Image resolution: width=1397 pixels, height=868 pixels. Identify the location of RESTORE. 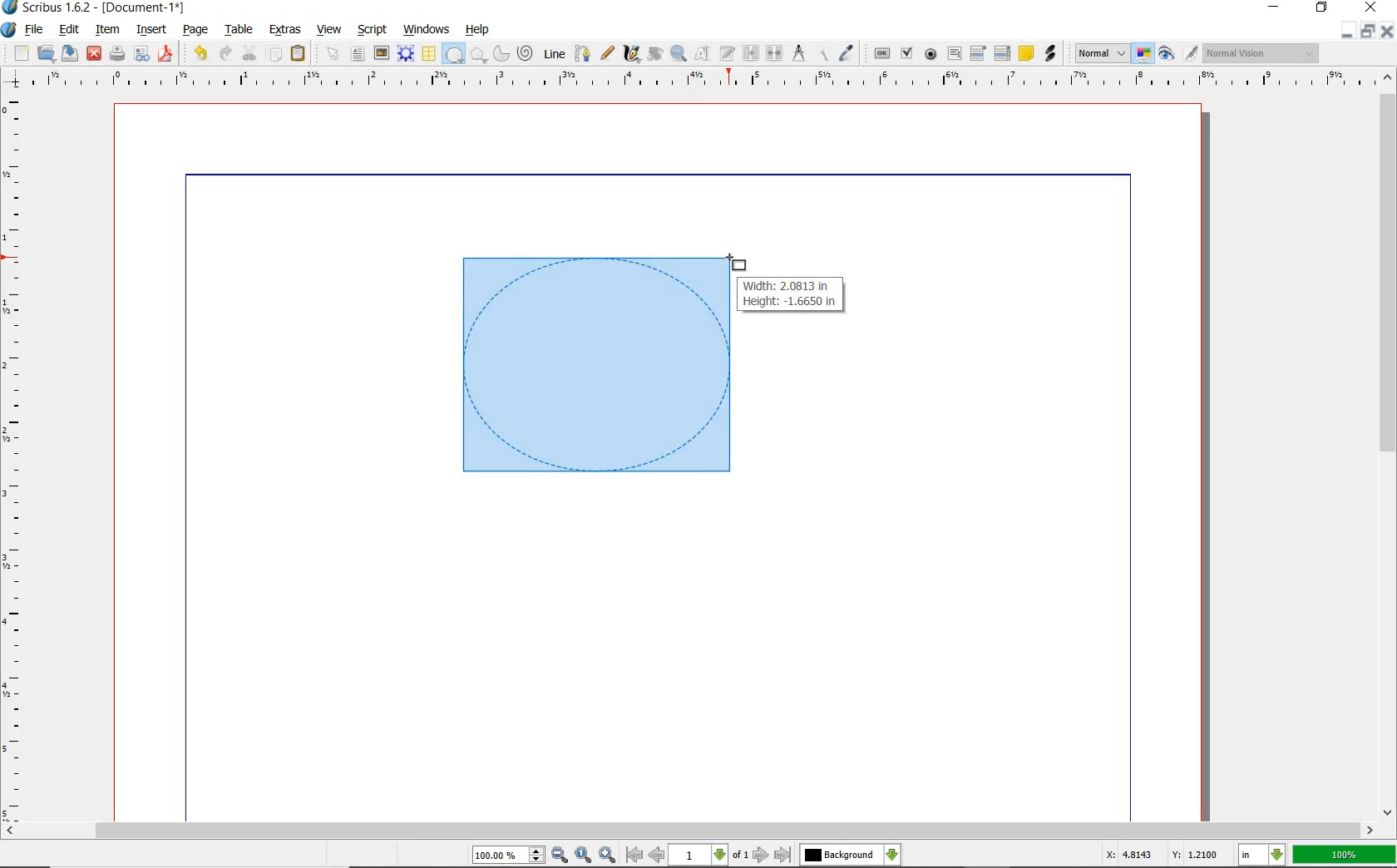
(1368, 32).